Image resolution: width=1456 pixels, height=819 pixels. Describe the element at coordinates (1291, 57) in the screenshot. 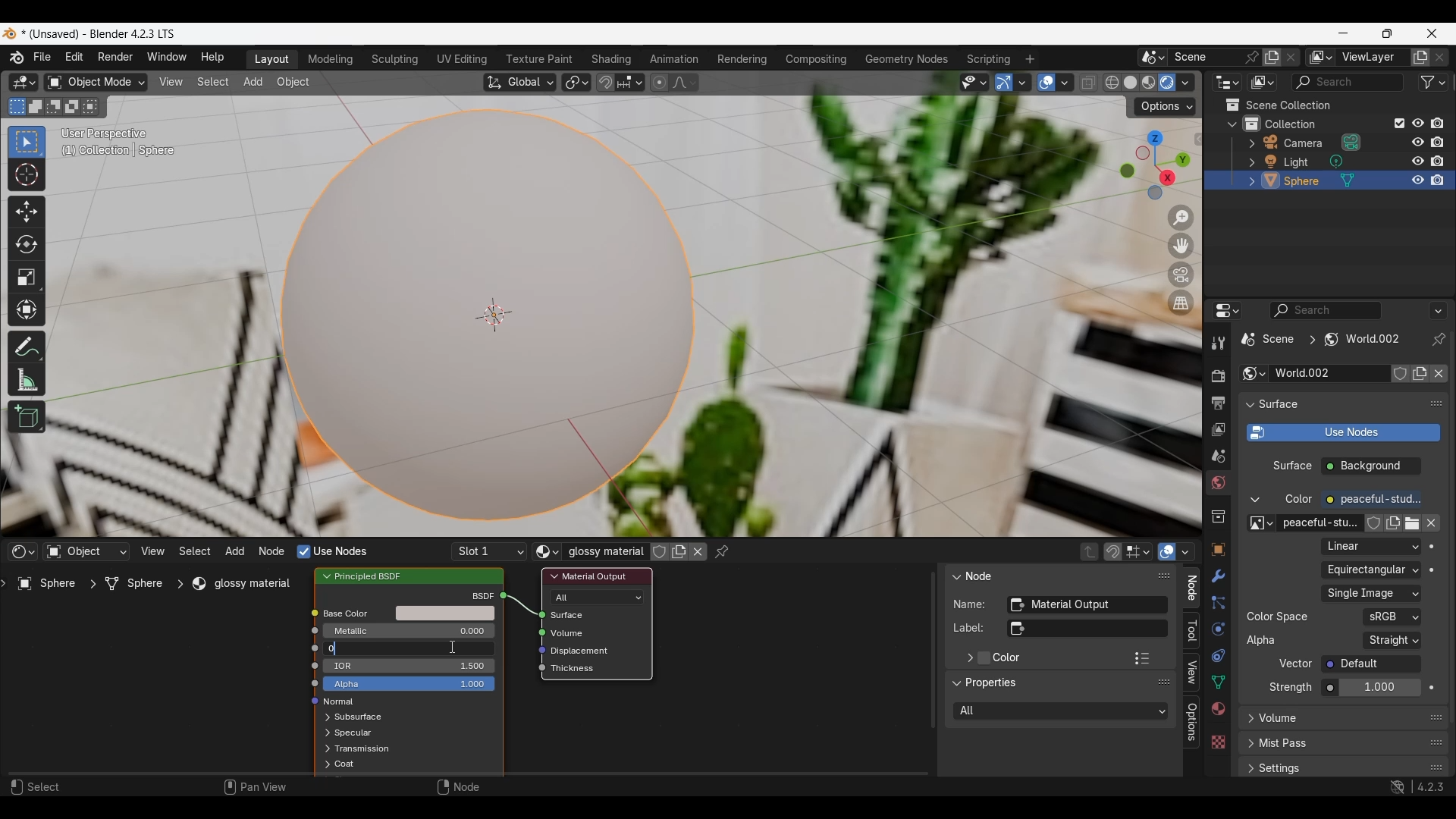

I see `Delete scene` at that location.